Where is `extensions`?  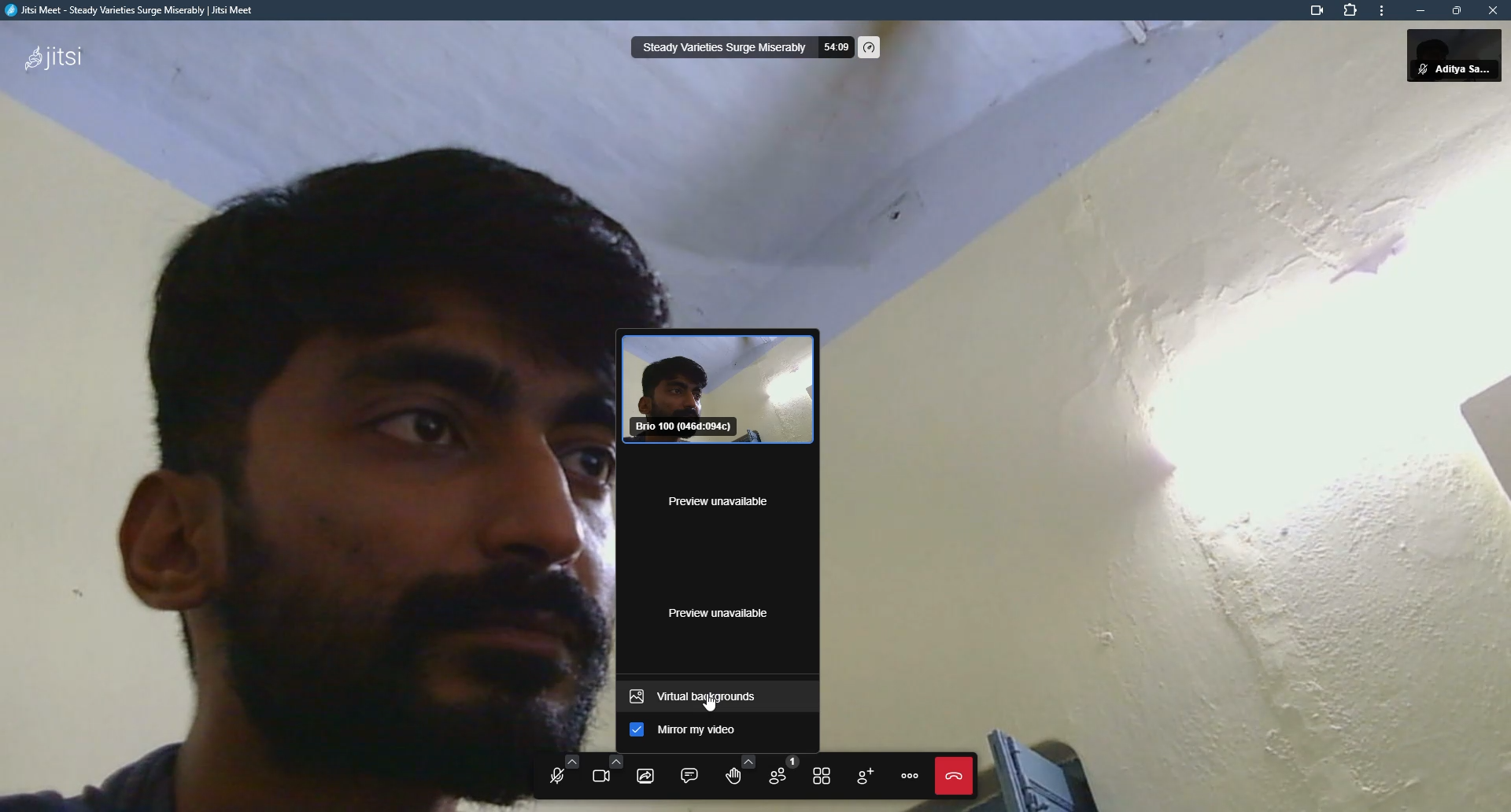 extensions is located at coordinates (1352, 12).